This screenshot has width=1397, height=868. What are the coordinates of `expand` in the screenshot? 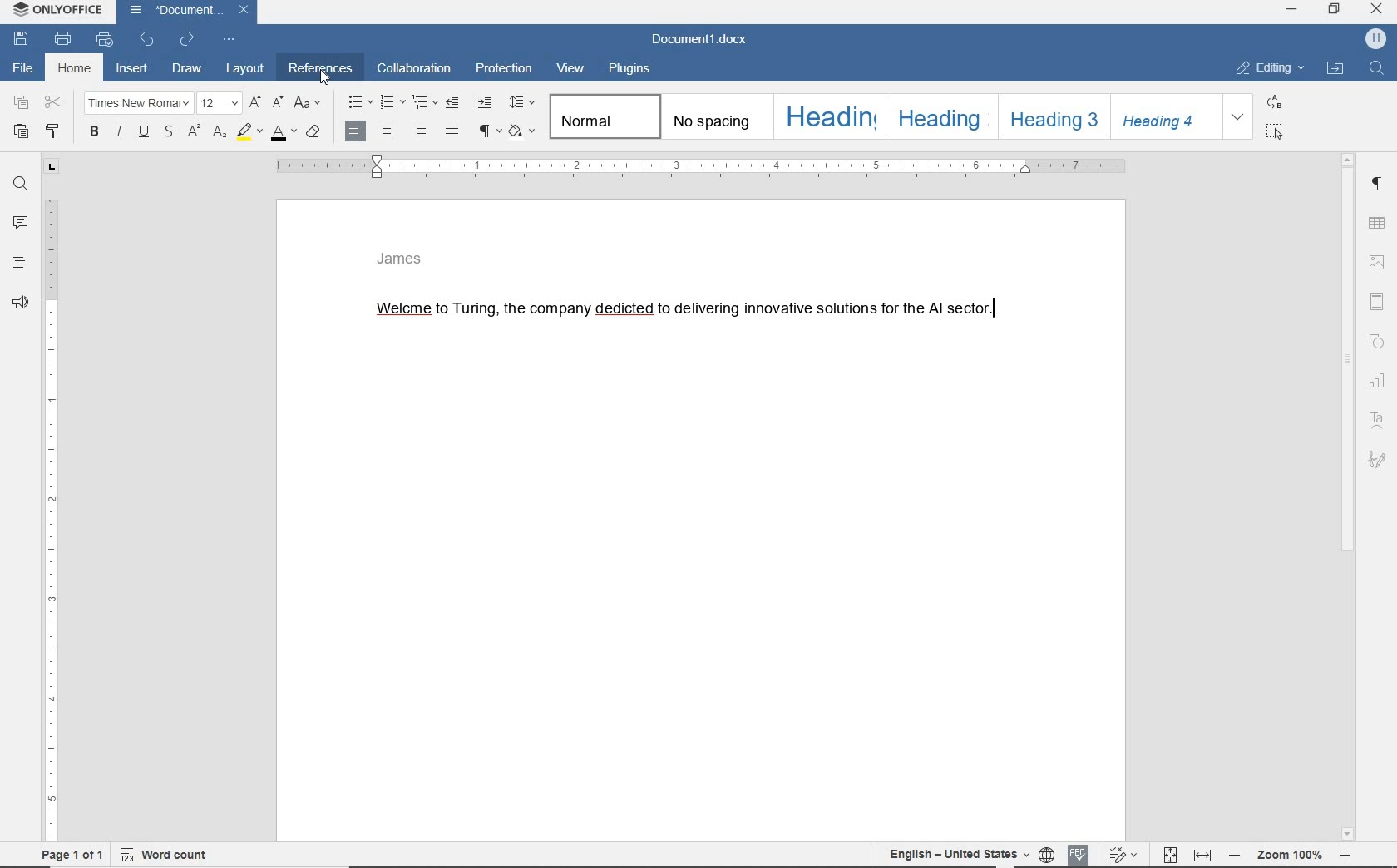 It's located at (1238, 118).